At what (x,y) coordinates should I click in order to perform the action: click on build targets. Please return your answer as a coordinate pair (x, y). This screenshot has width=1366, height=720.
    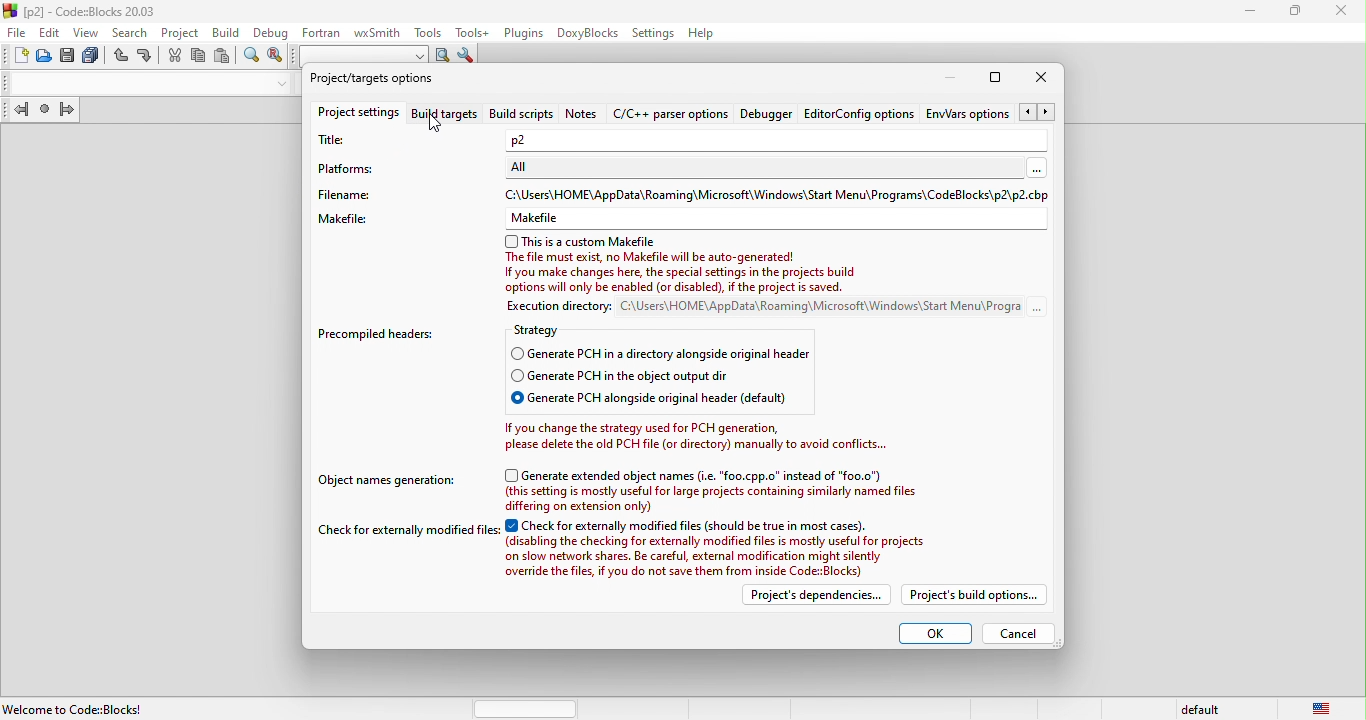
    Looking at the image, I should click on (446, 115).